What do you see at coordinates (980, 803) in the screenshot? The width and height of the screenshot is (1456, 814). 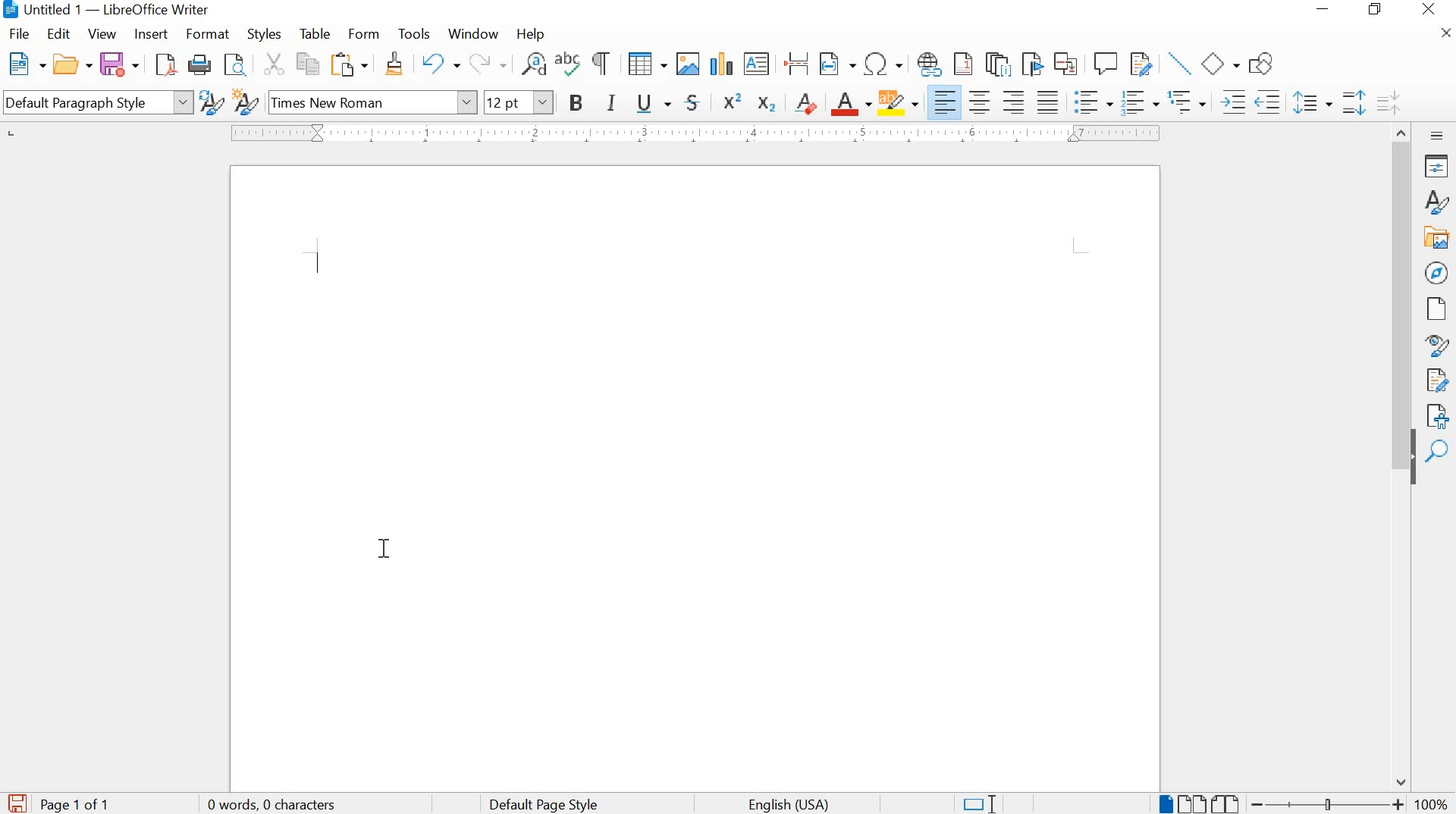 I see `STANDARD SELECTION` at bounding box center [980, 803].